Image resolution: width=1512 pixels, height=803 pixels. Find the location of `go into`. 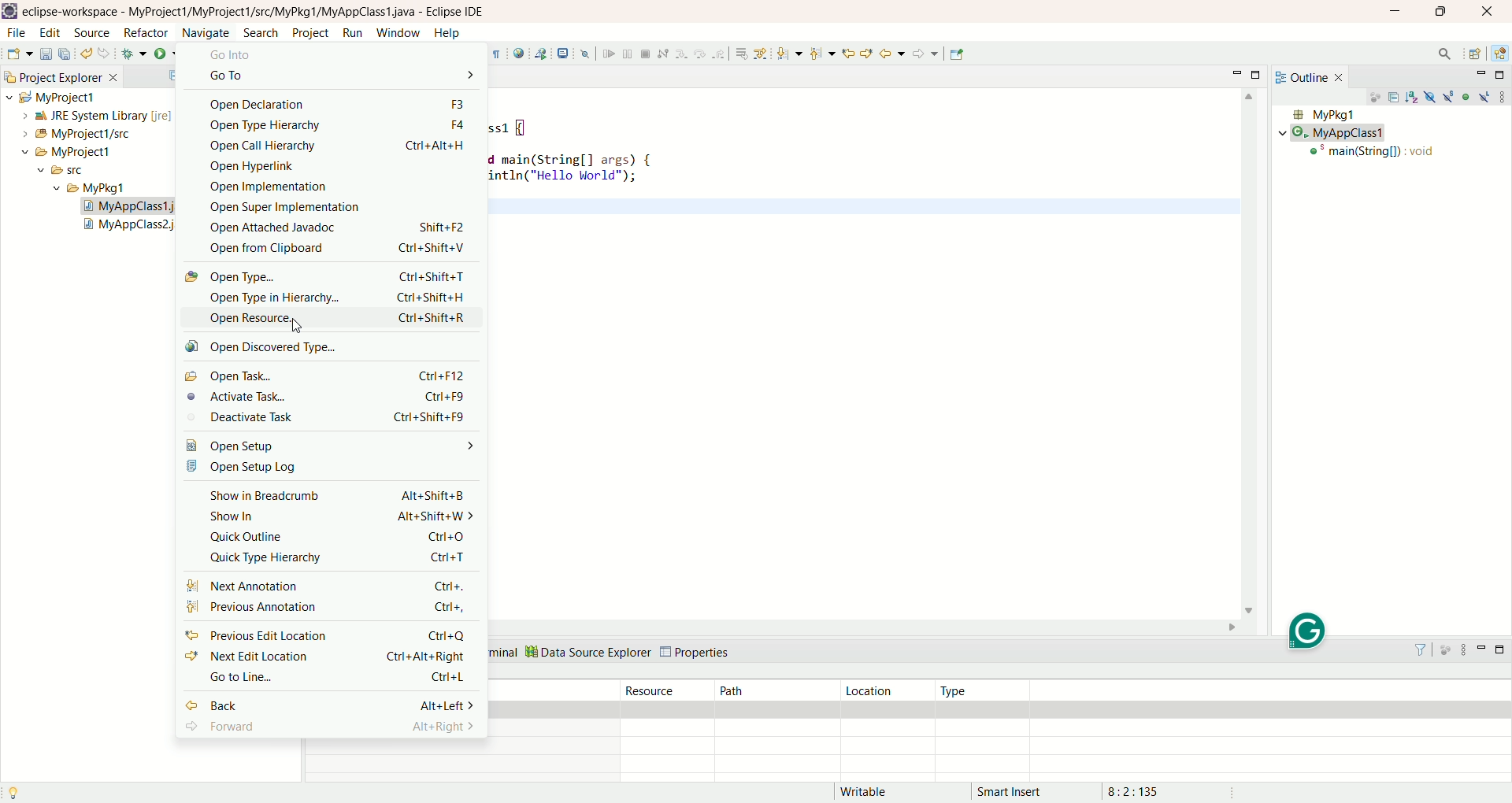

go into is located at coordinates (342, 56).